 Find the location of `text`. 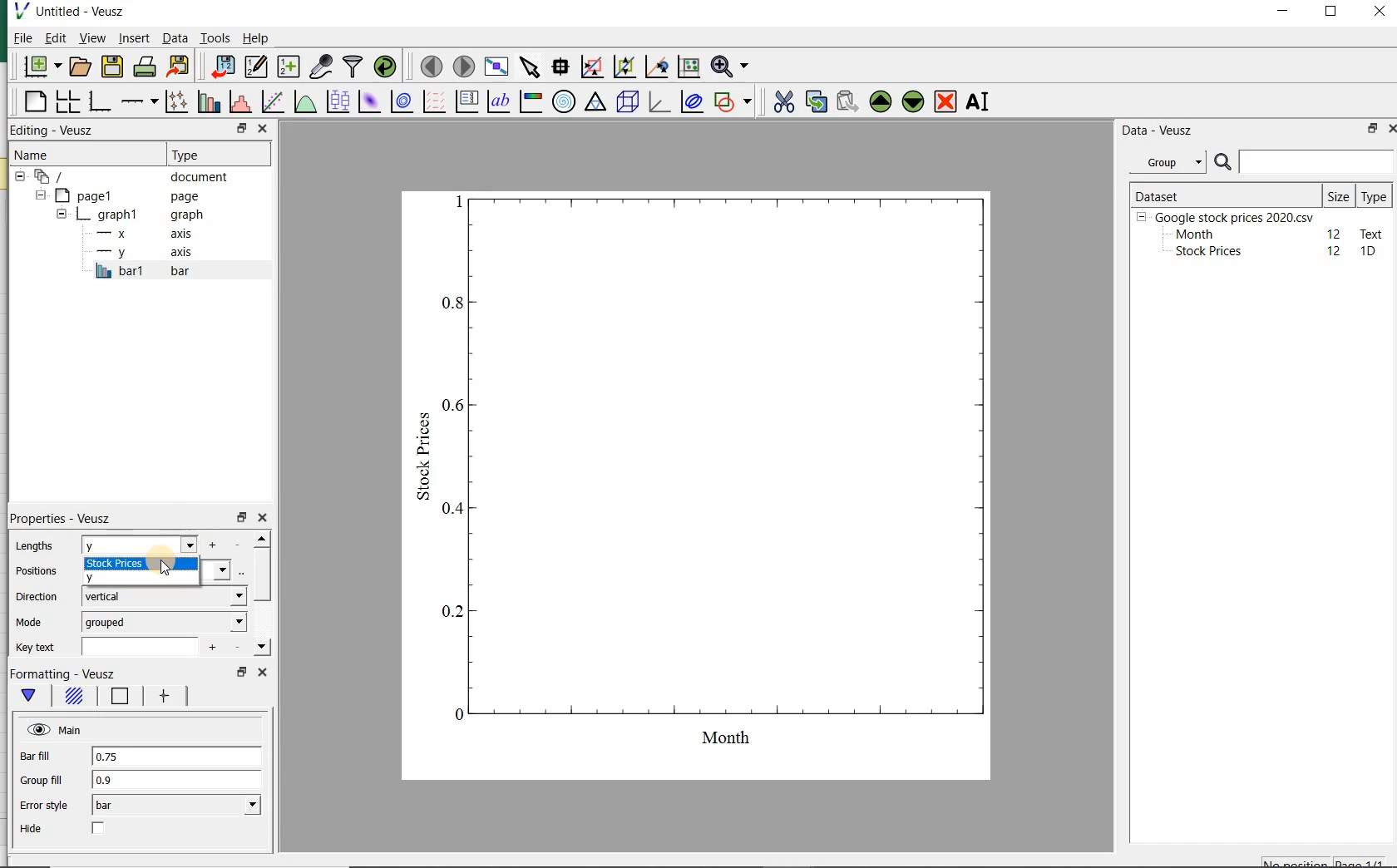

text is located at coordinates (1369, 233).